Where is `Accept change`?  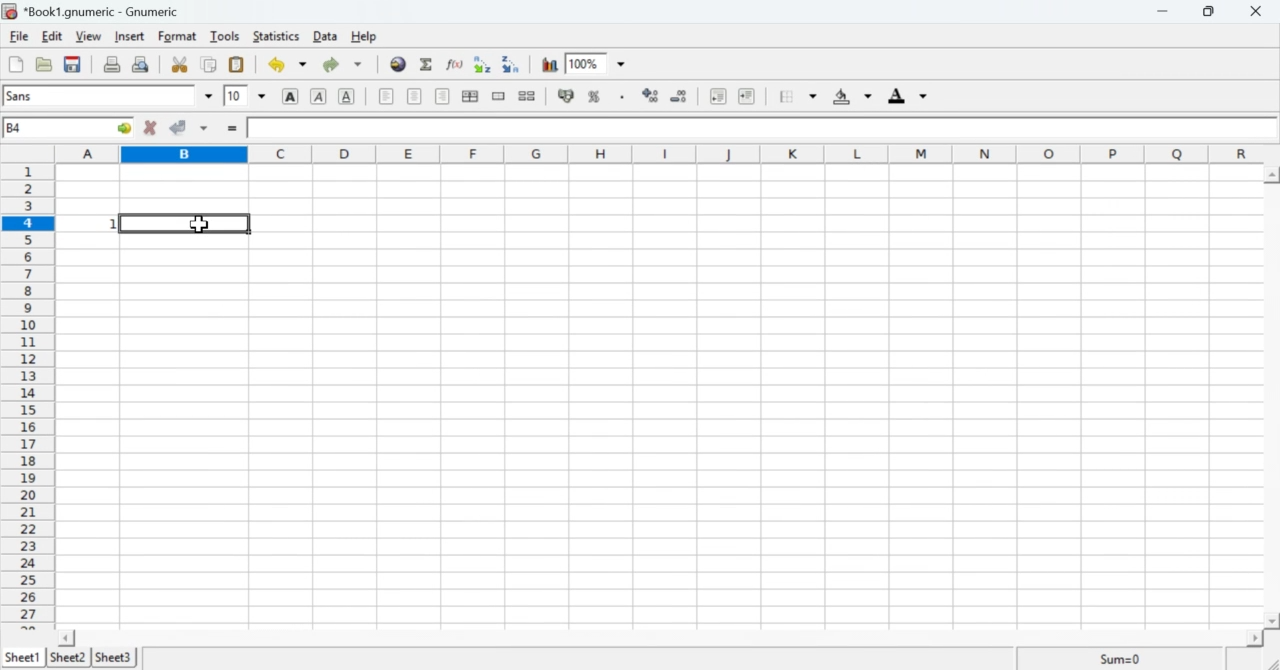 Accept change is located at coordinates (189, 128).